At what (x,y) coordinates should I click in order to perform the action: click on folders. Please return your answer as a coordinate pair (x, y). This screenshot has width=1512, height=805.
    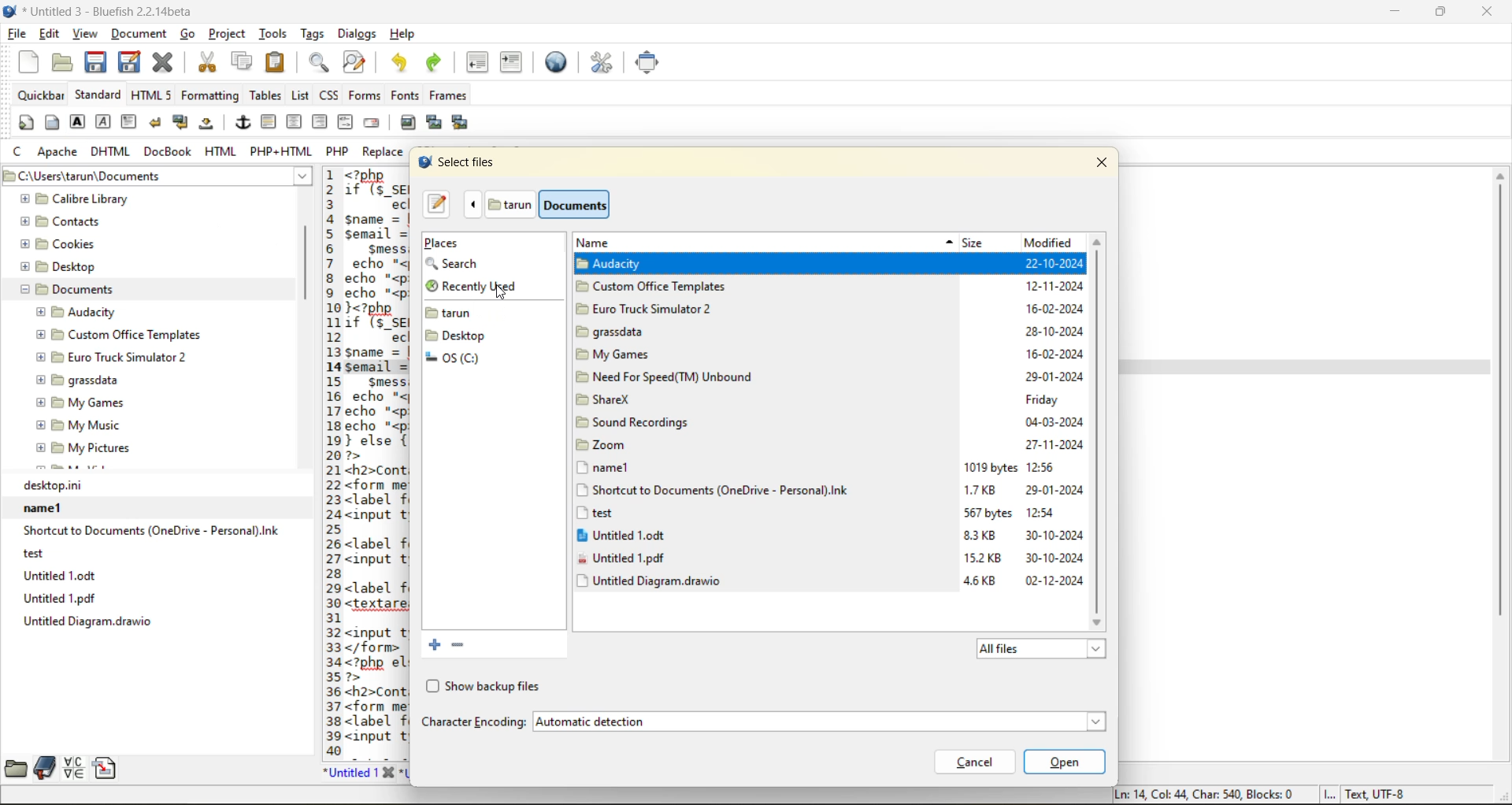
    Looking at the image, I should click on (547, 204).